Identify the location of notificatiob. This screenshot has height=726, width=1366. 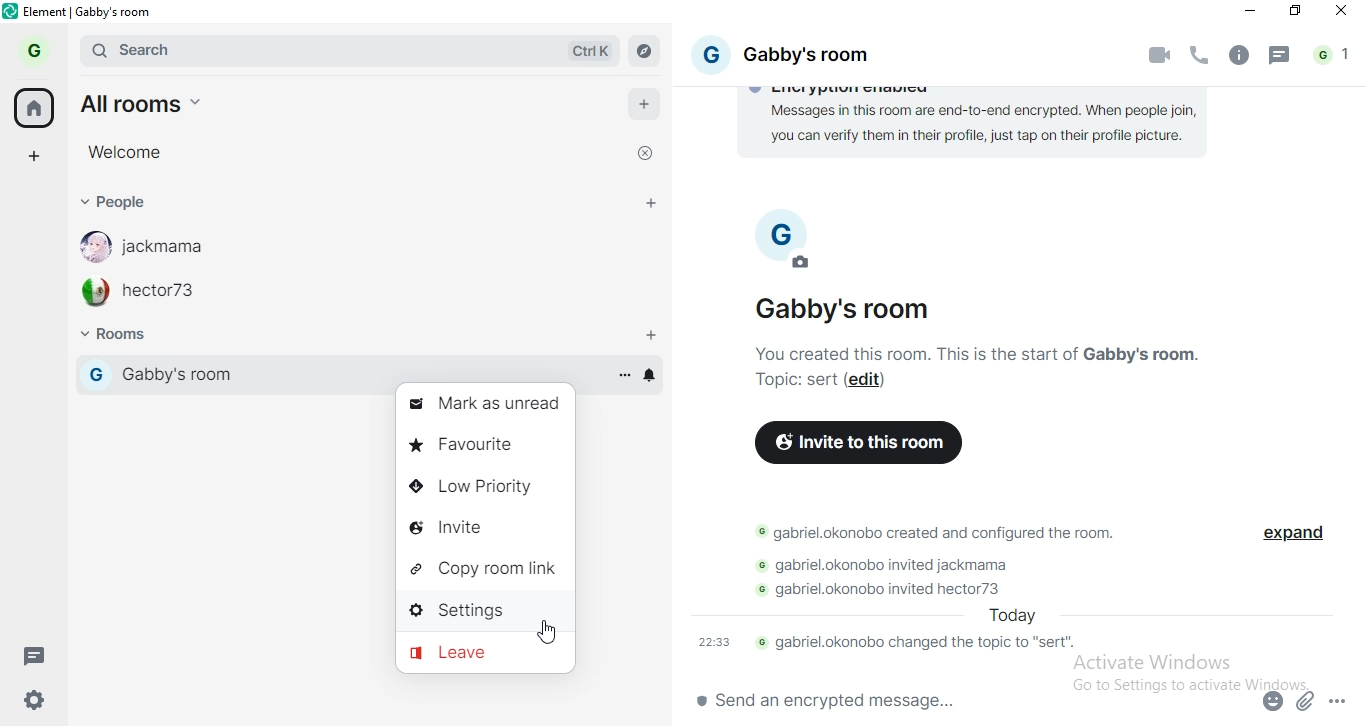
(653, 376).